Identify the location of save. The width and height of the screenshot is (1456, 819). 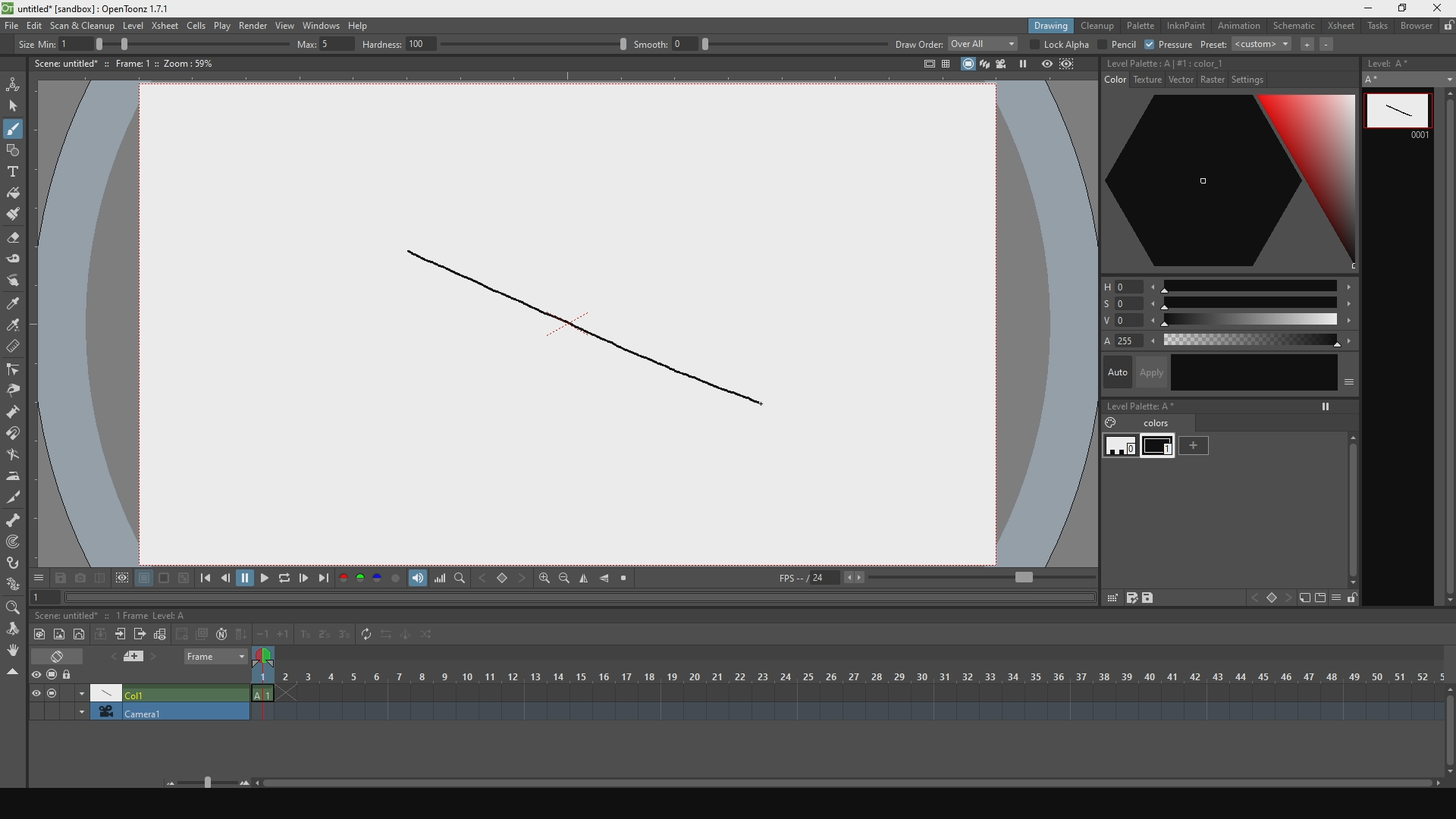
(1131, 599).